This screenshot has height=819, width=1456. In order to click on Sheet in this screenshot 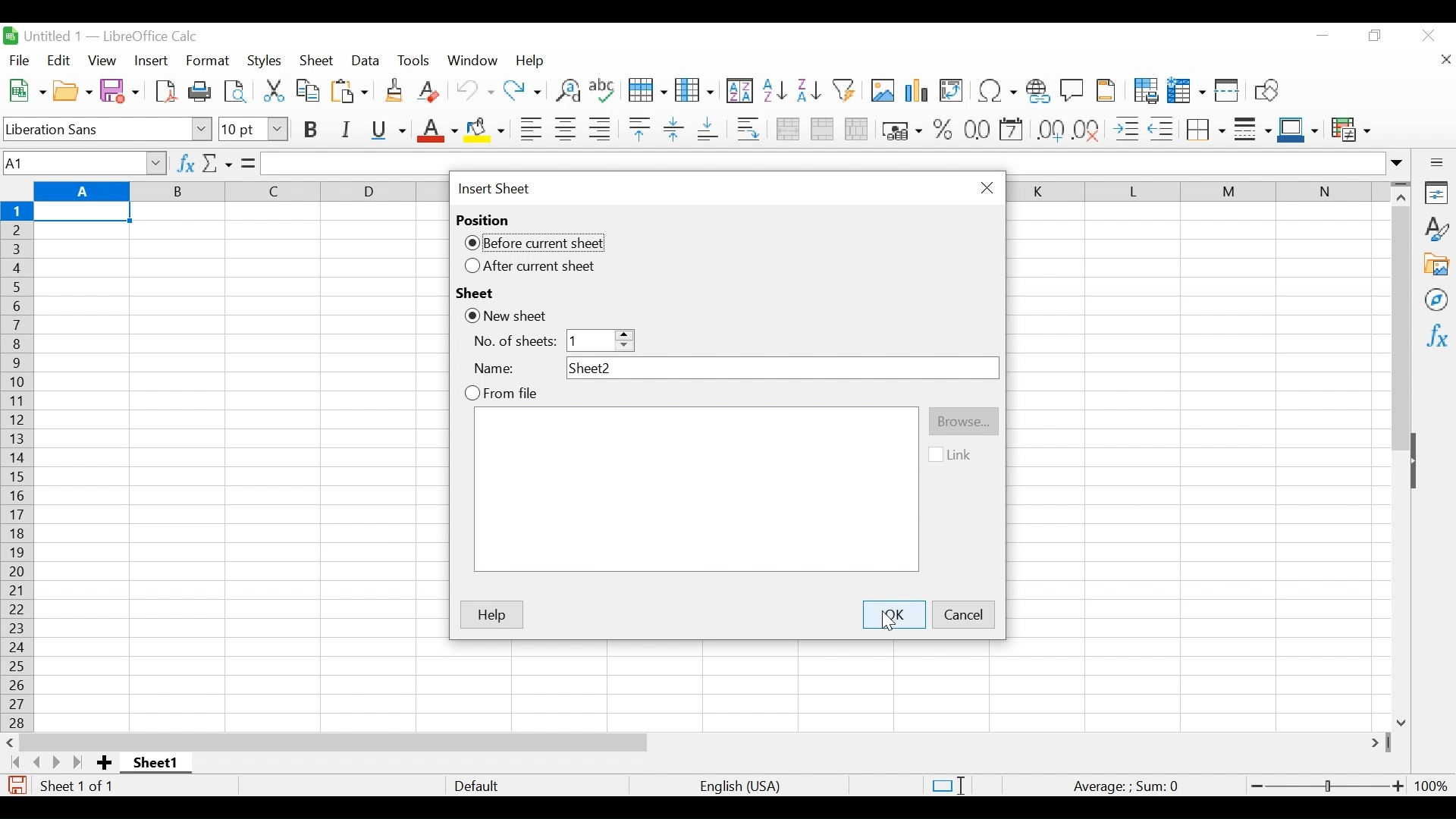, I will do `click(475, 292)`.